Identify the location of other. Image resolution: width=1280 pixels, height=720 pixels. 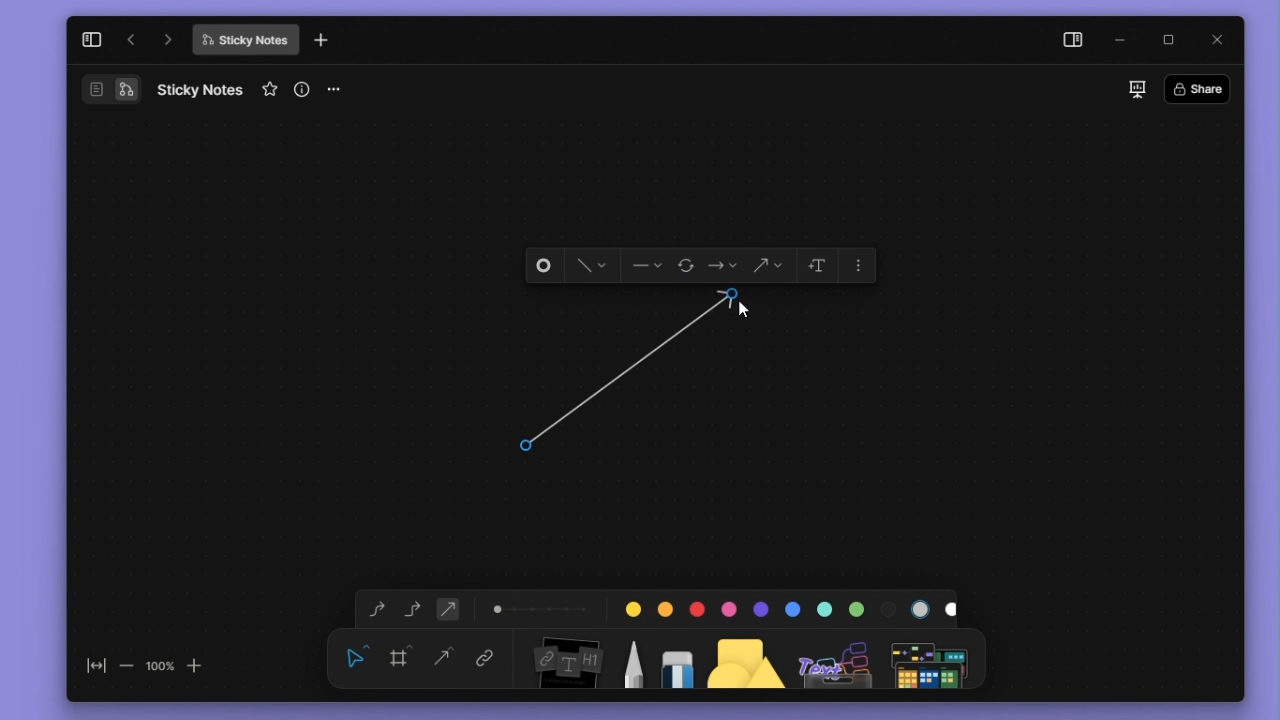
(837, 658).